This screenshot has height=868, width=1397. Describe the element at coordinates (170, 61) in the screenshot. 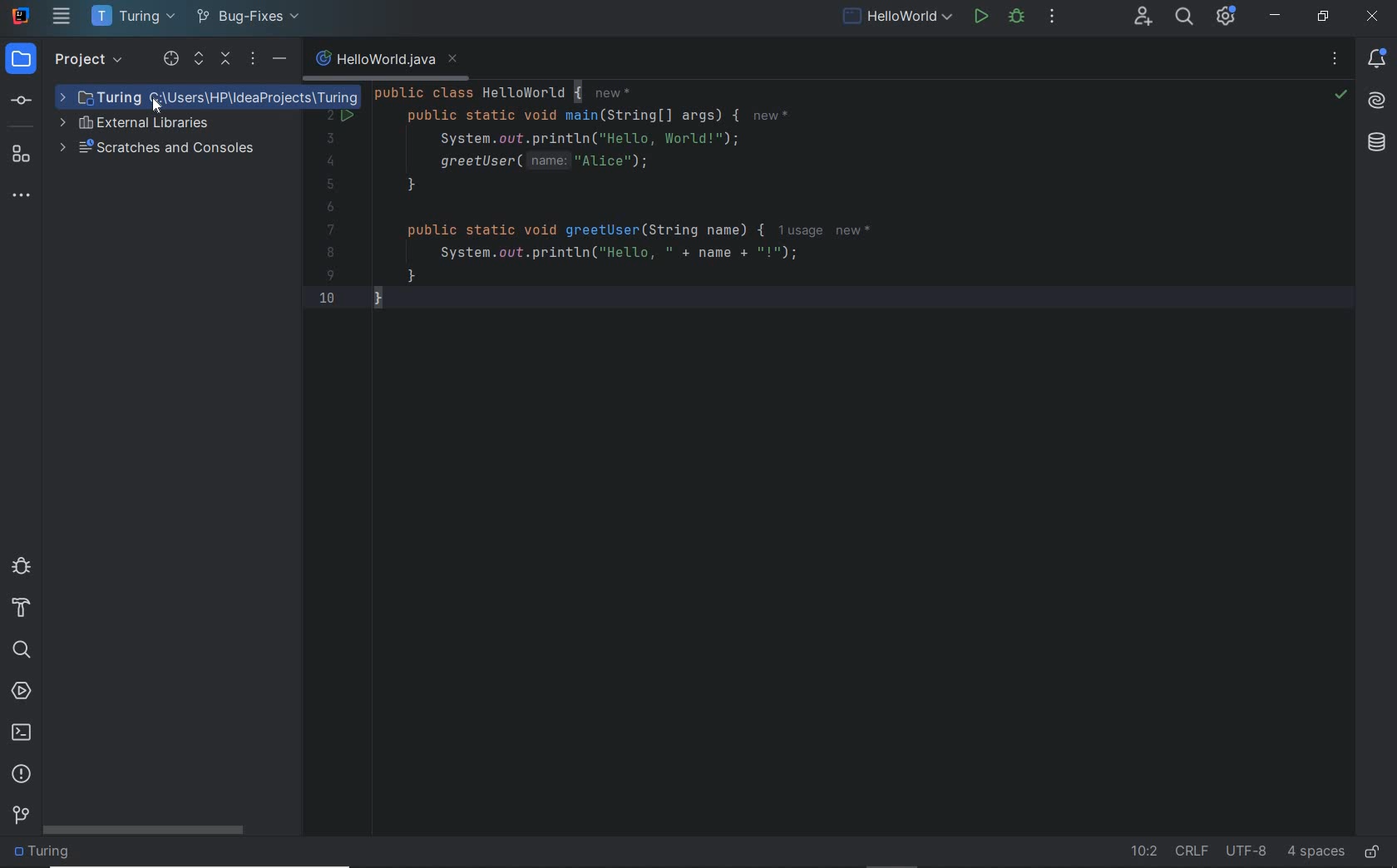

I see `select opened file` at that location.